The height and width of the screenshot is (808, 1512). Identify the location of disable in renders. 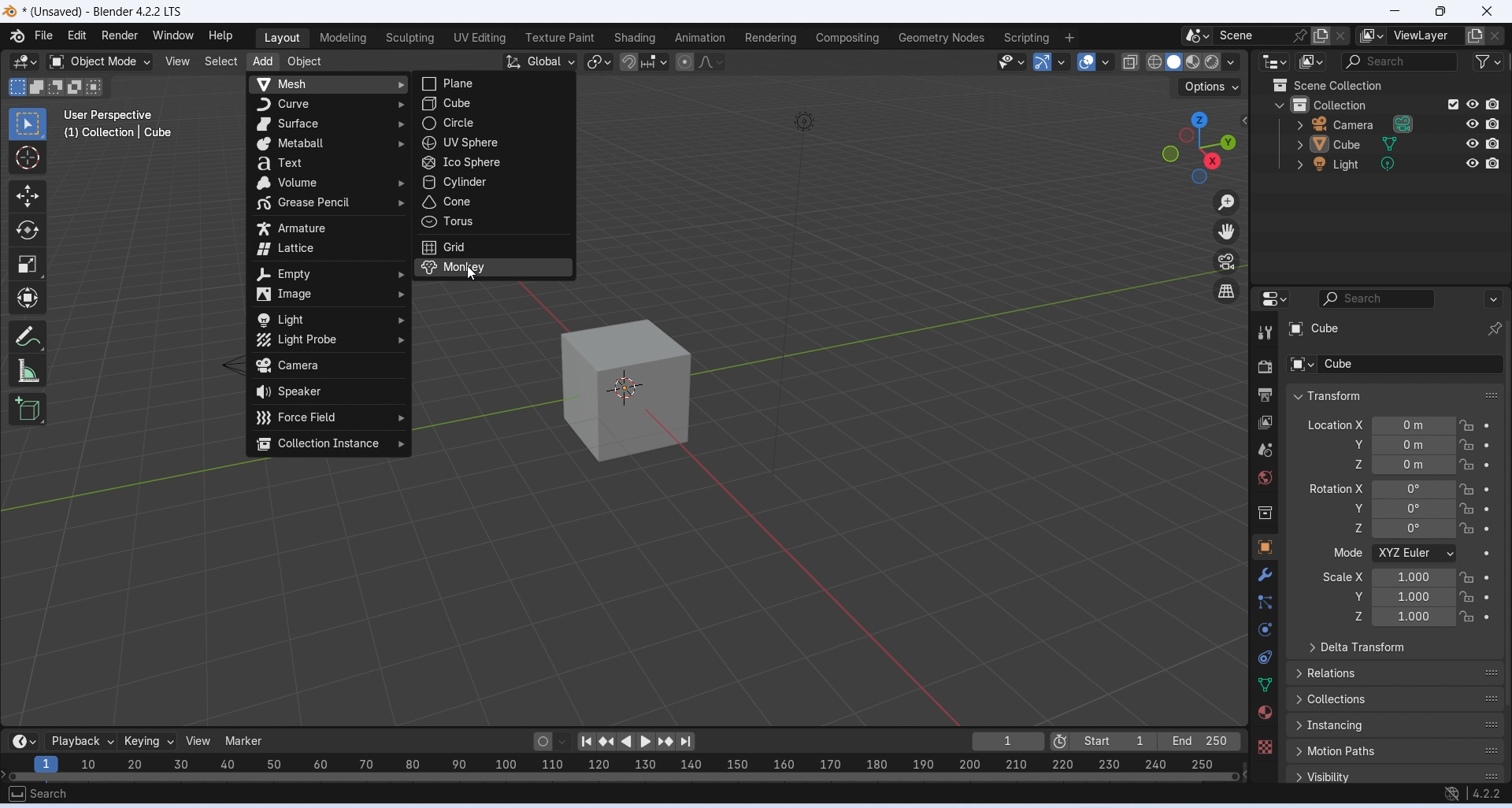
(1493, 162).